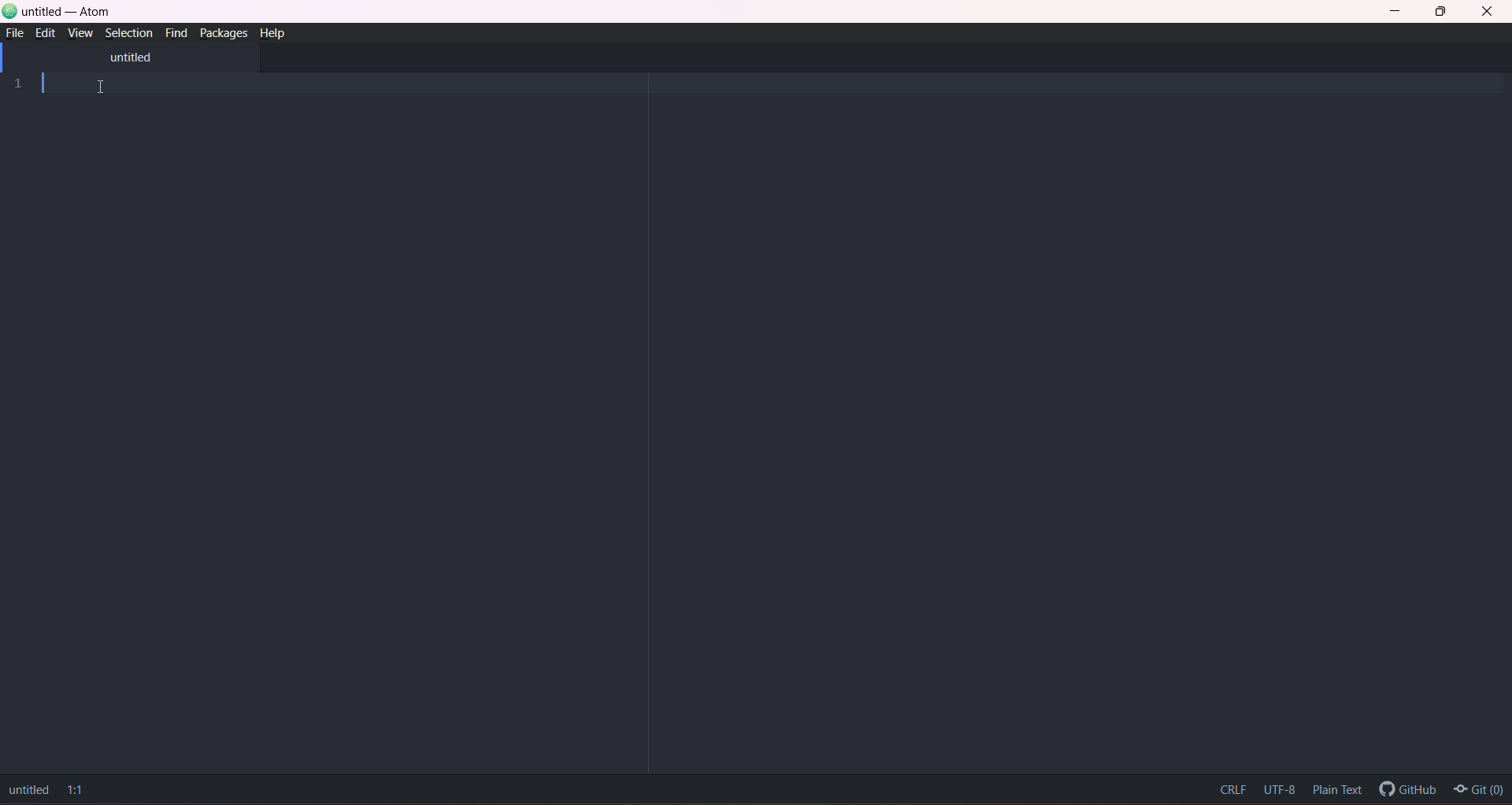 The height and width of the screenshot is (805, 1512). What do you see at coordinates (68, 13) in the screenshot?
I see `untitled - Atom` at bounding box center [68, 13].